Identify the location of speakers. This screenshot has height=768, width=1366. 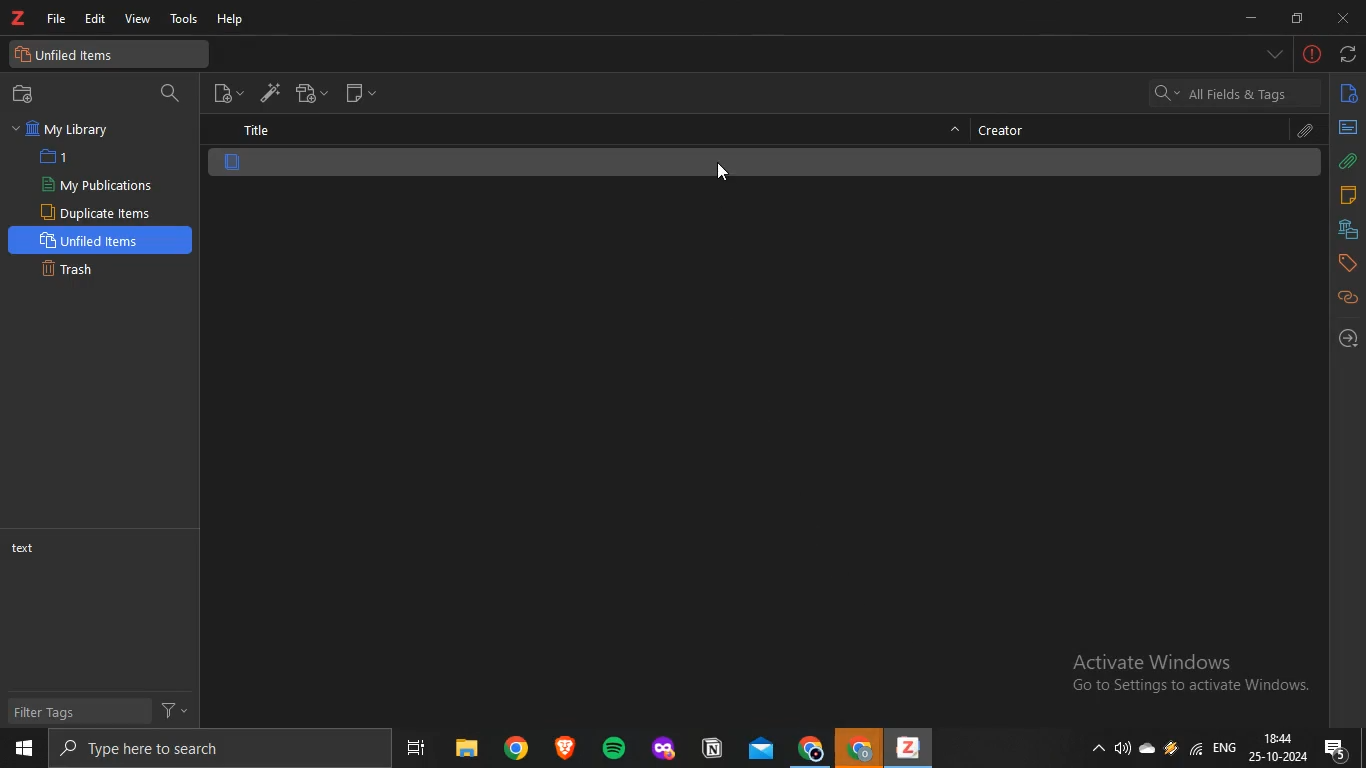
(1121, 749).